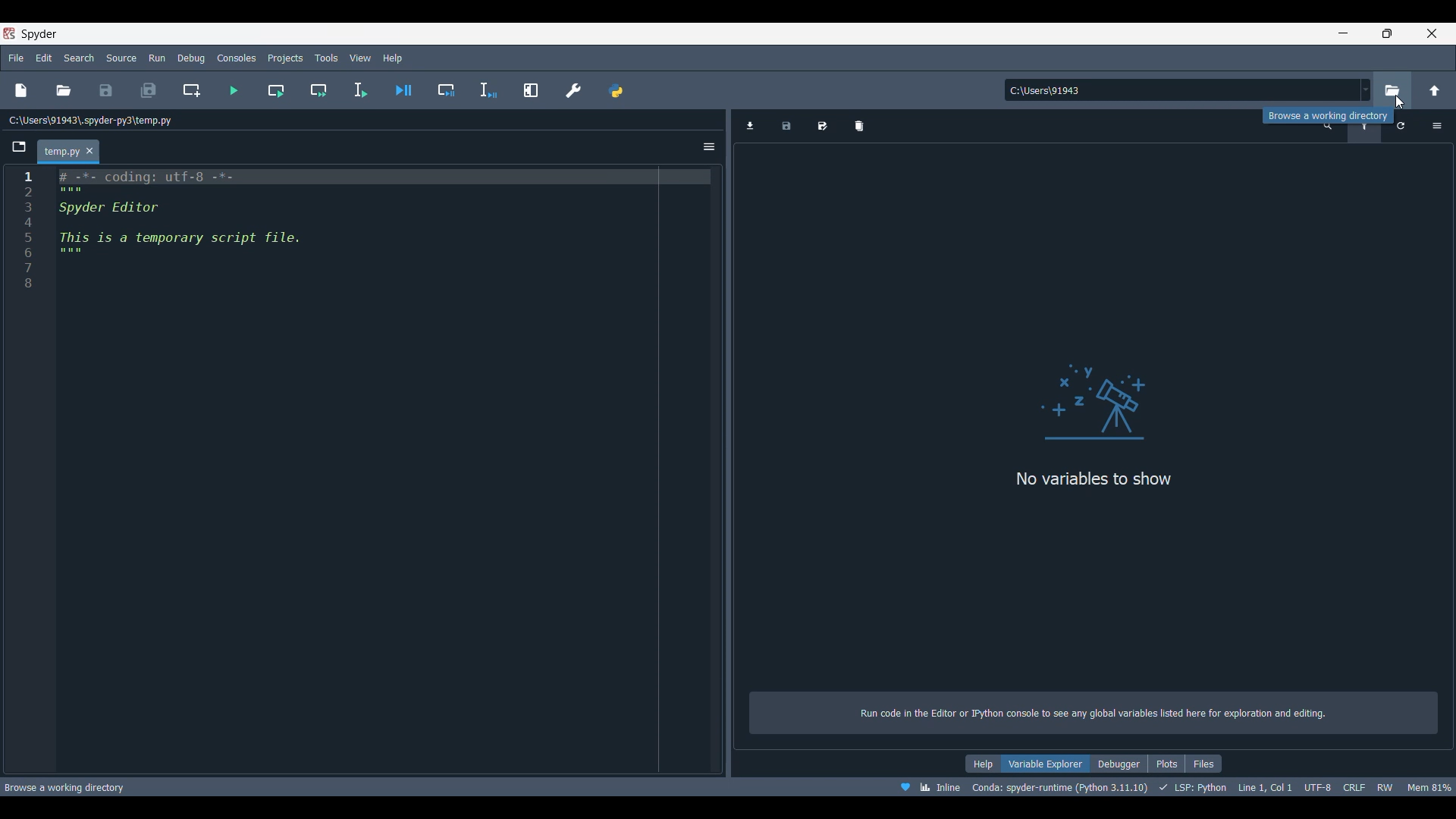 This screenshot has height=819, width=1456. What do you see at coordinates (616, 90) in the screenshot?
I see `PYTHONPATH manager` at bounding box center [616, 90].